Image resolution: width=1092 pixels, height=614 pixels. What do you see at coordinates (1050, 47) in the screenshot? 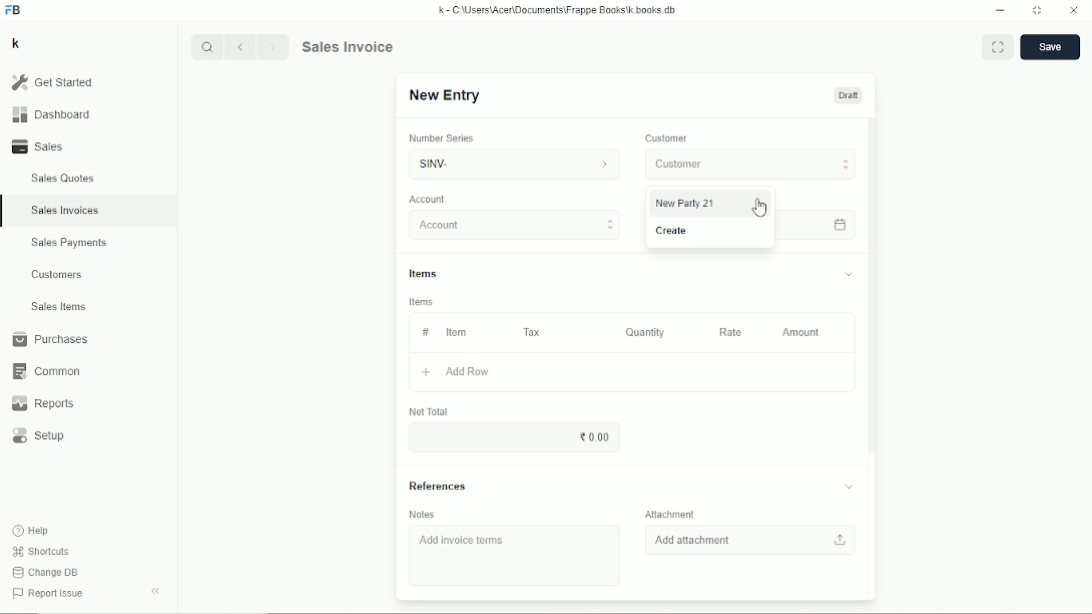
I see `Save` at bounding box center [1050, 47].